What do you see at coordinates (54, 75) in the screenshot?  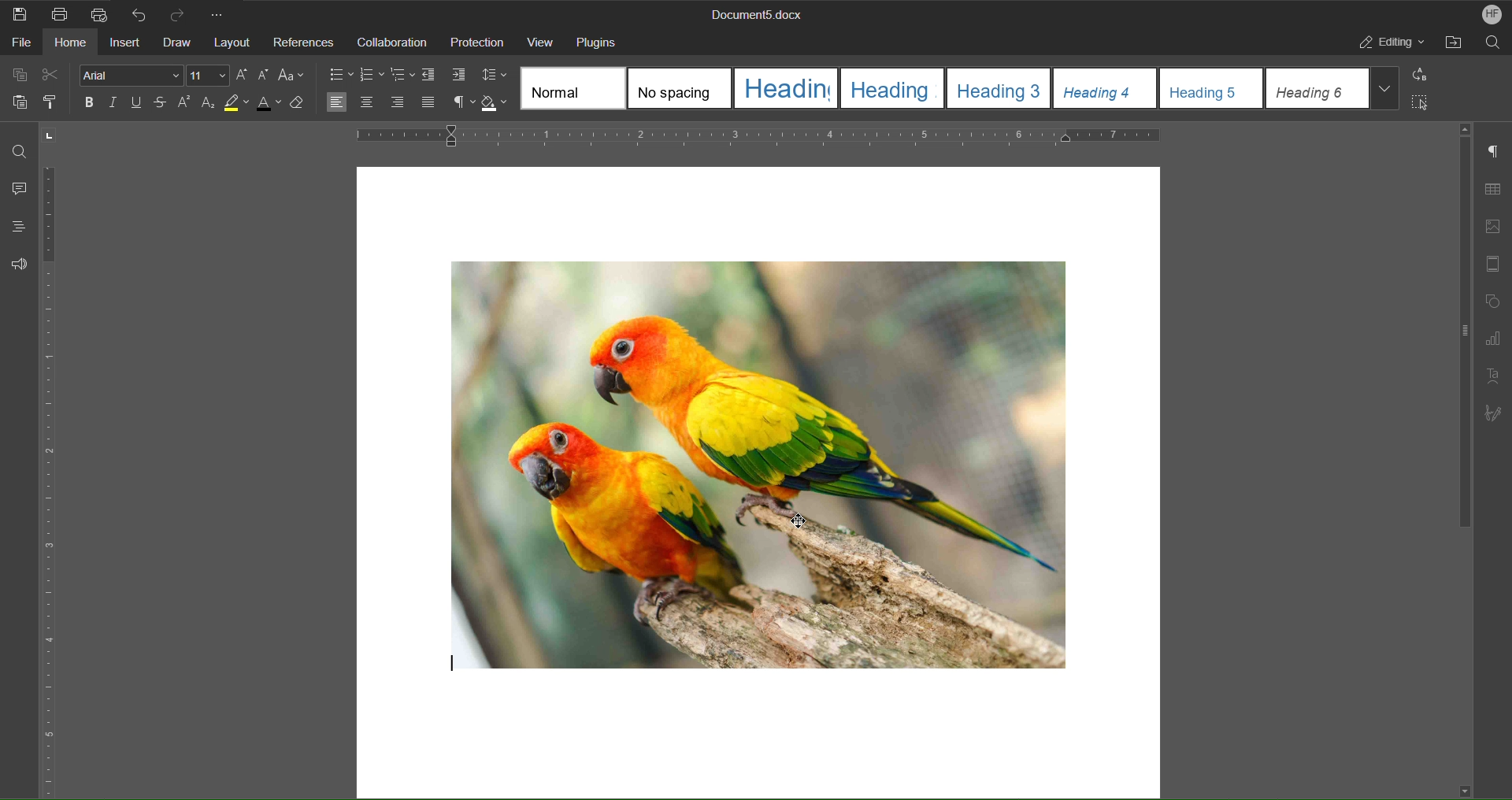 I see `Cut` at bounding box center [54, 75].